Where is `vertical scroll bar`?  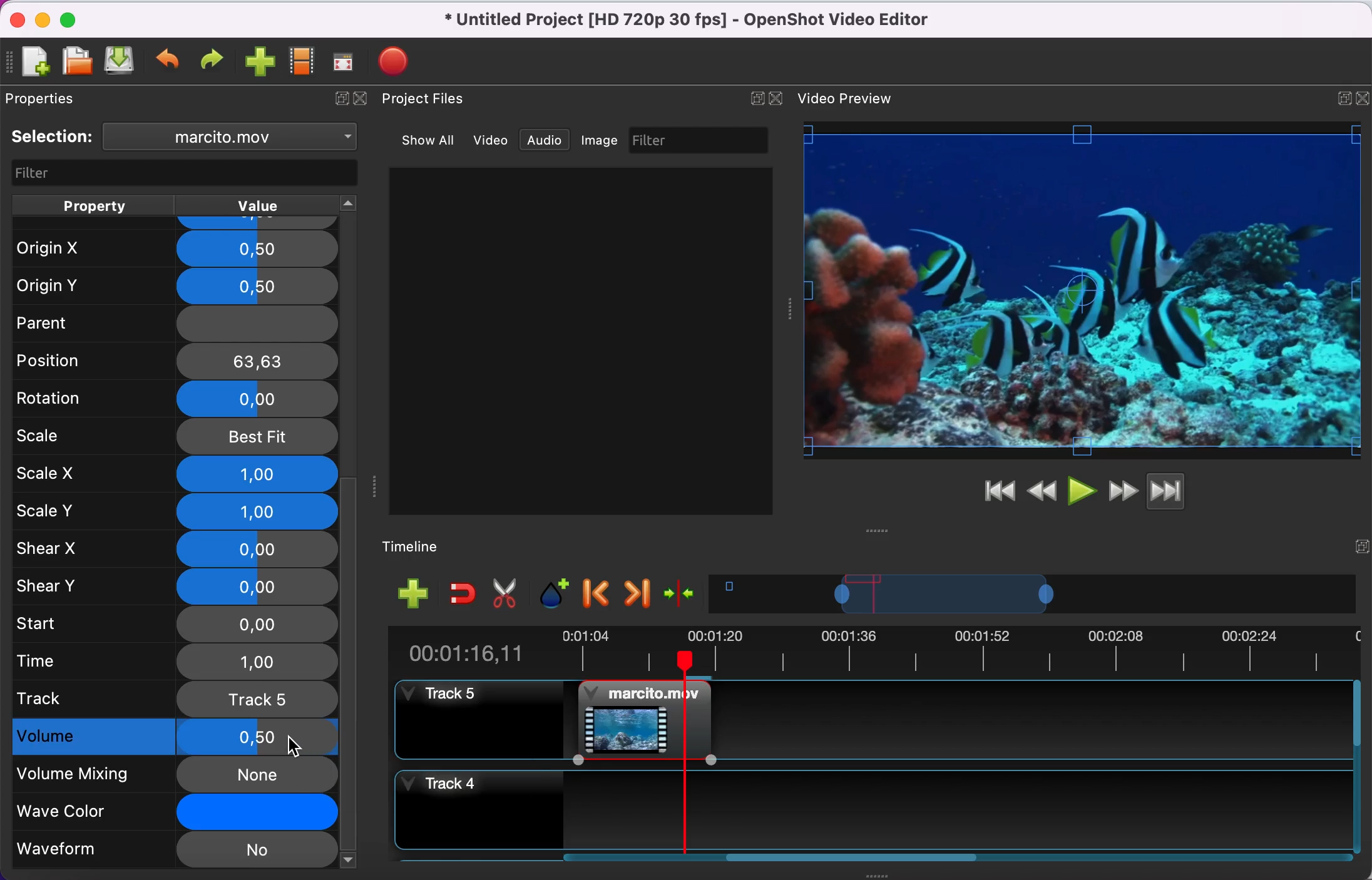 vertical scroll bar is located at coordinates (352, 672).